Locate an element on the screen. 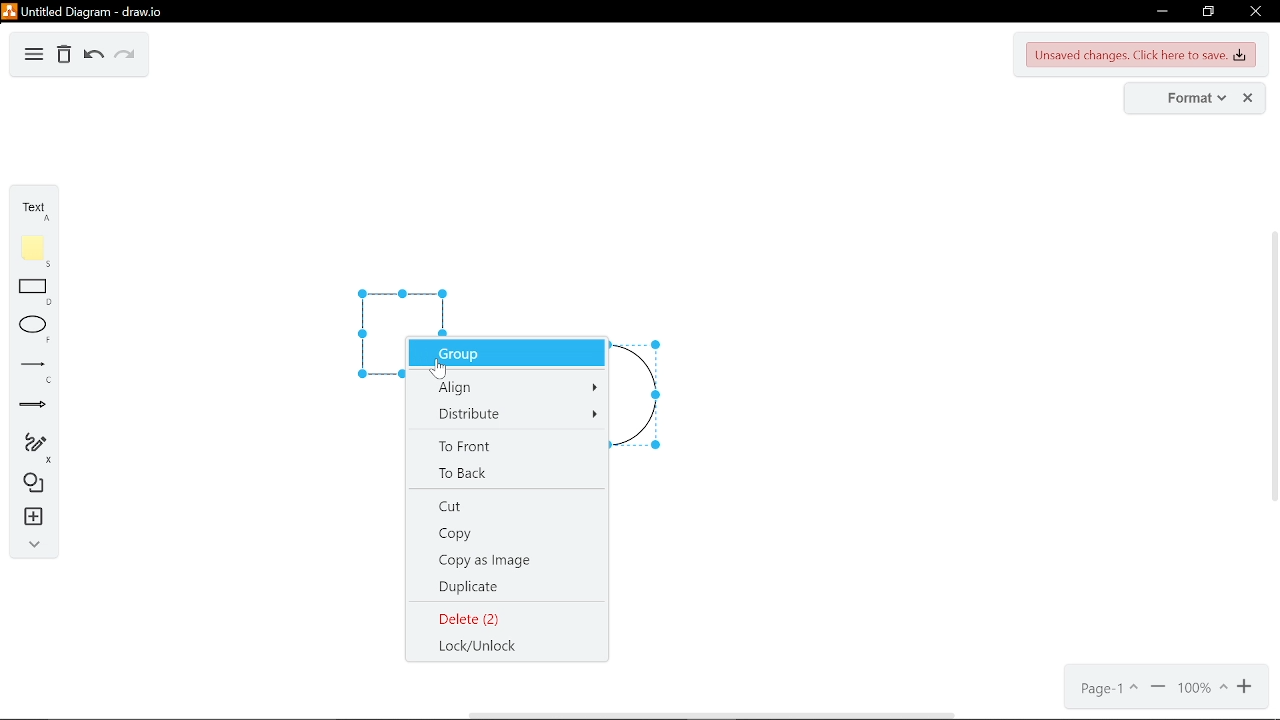  horizontal scrollbar is located at coordinates (714, 715).